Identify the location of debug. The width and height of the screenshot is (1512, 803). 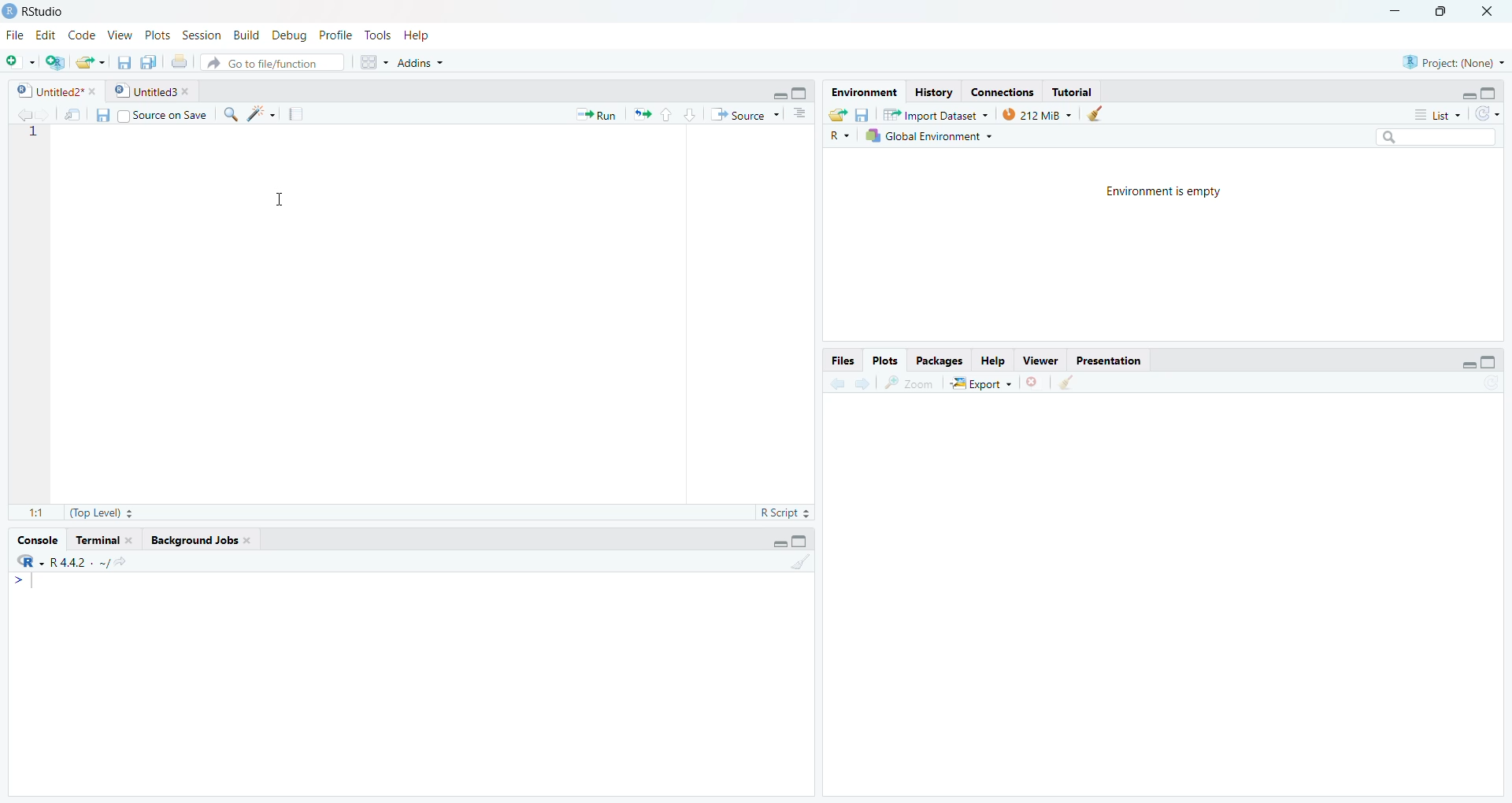
(288, 35).